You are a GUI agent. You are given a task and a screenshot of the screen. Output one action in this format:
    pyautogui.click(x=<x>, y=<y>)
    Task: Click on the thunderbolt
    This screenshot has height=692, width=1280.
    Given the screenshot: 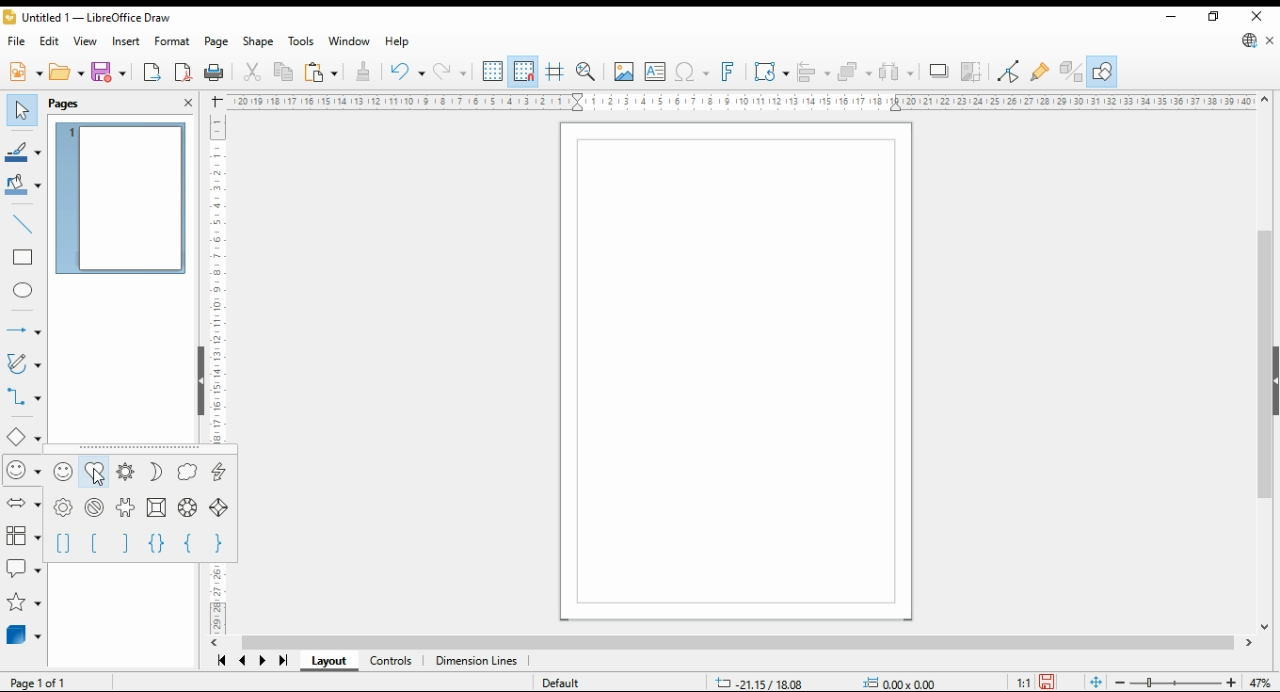 What is the action you would take?
    pyautogui.click(x=219, y=471)
    